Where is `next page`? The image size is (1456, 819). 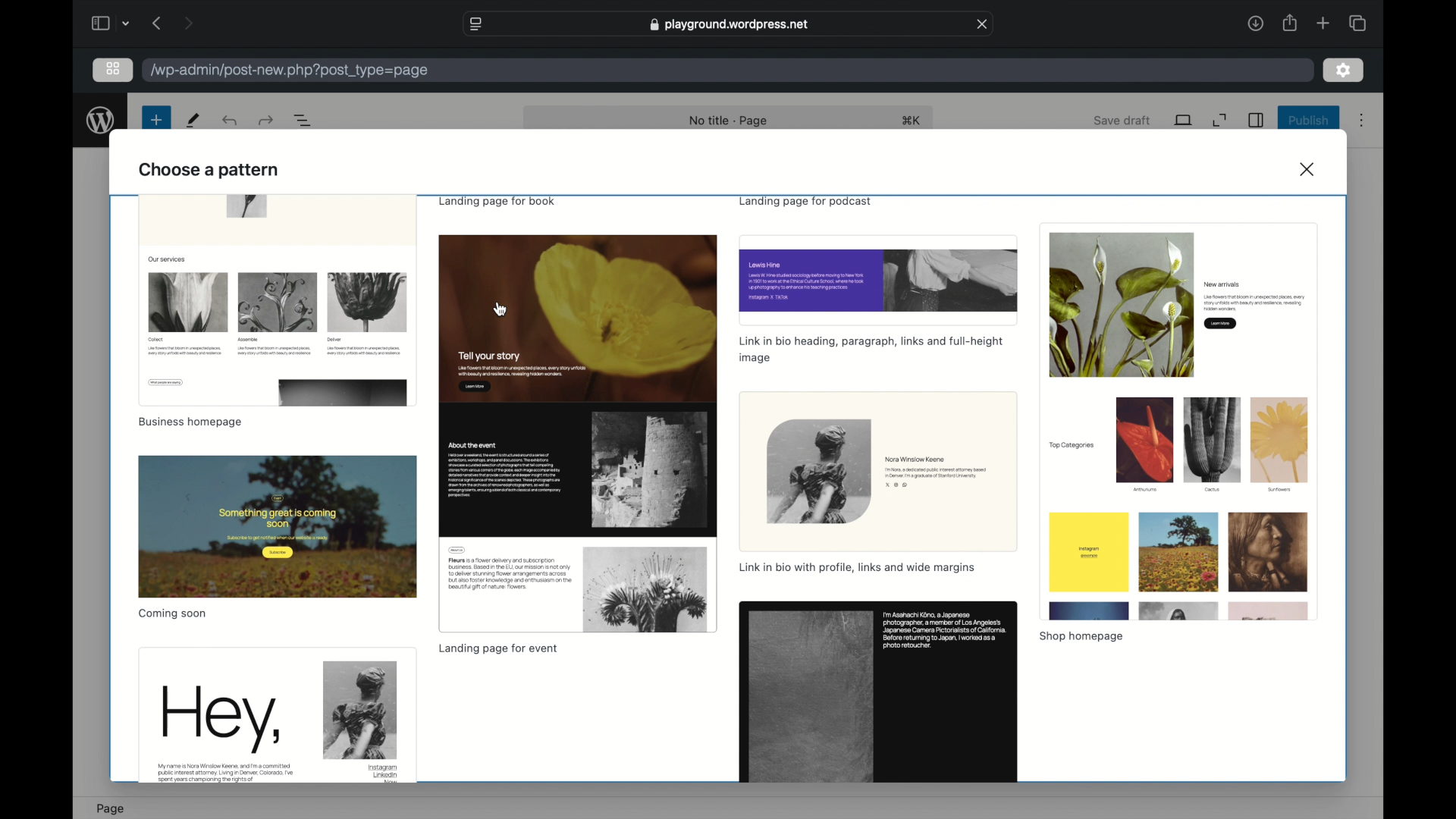
next page is located at coordinates (188, 22).